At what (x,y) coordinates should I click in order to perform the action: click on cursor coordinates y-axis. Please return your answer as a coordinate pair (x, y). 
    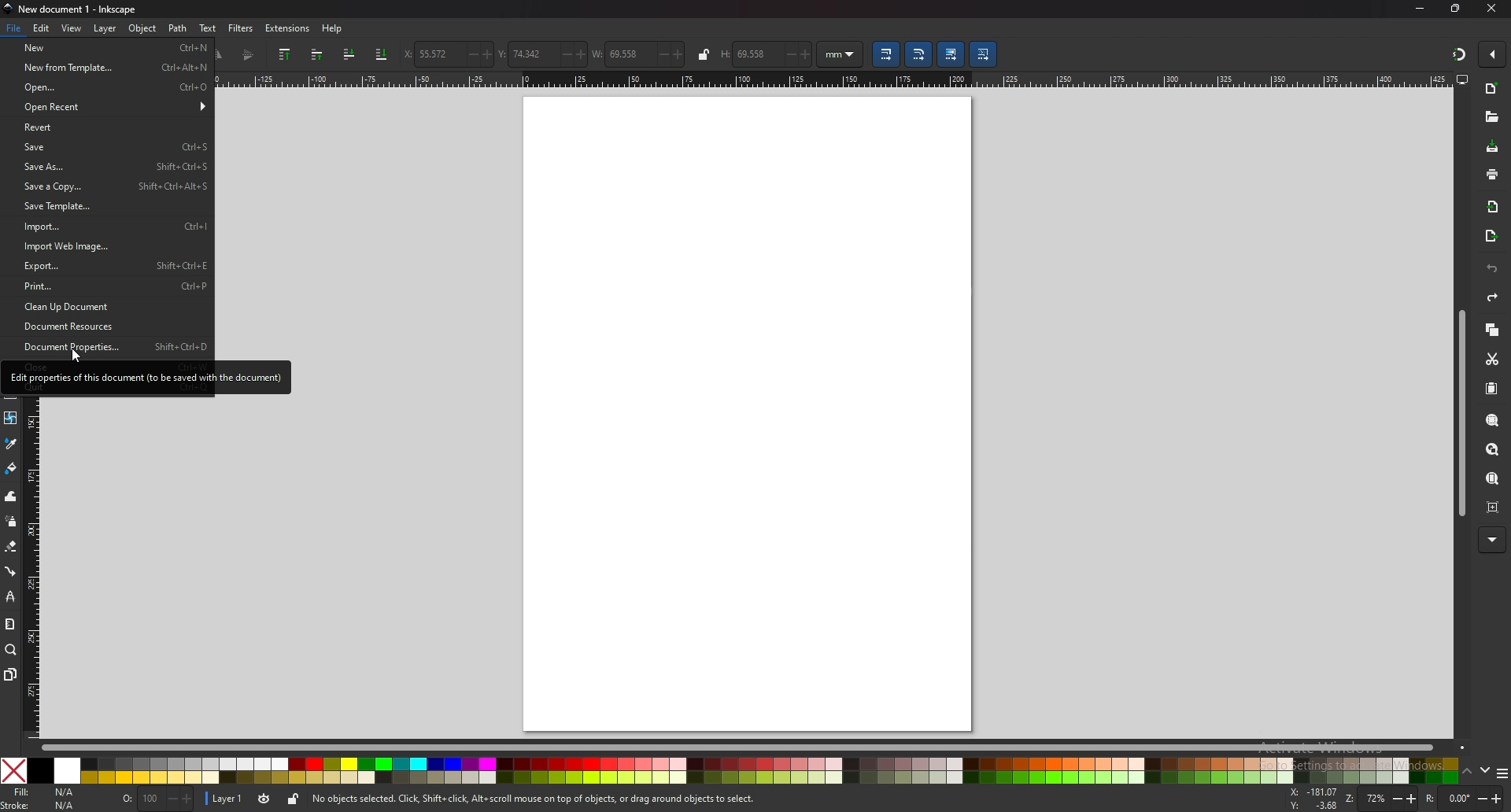
    Looking at the image, I should click on (1312, 806).